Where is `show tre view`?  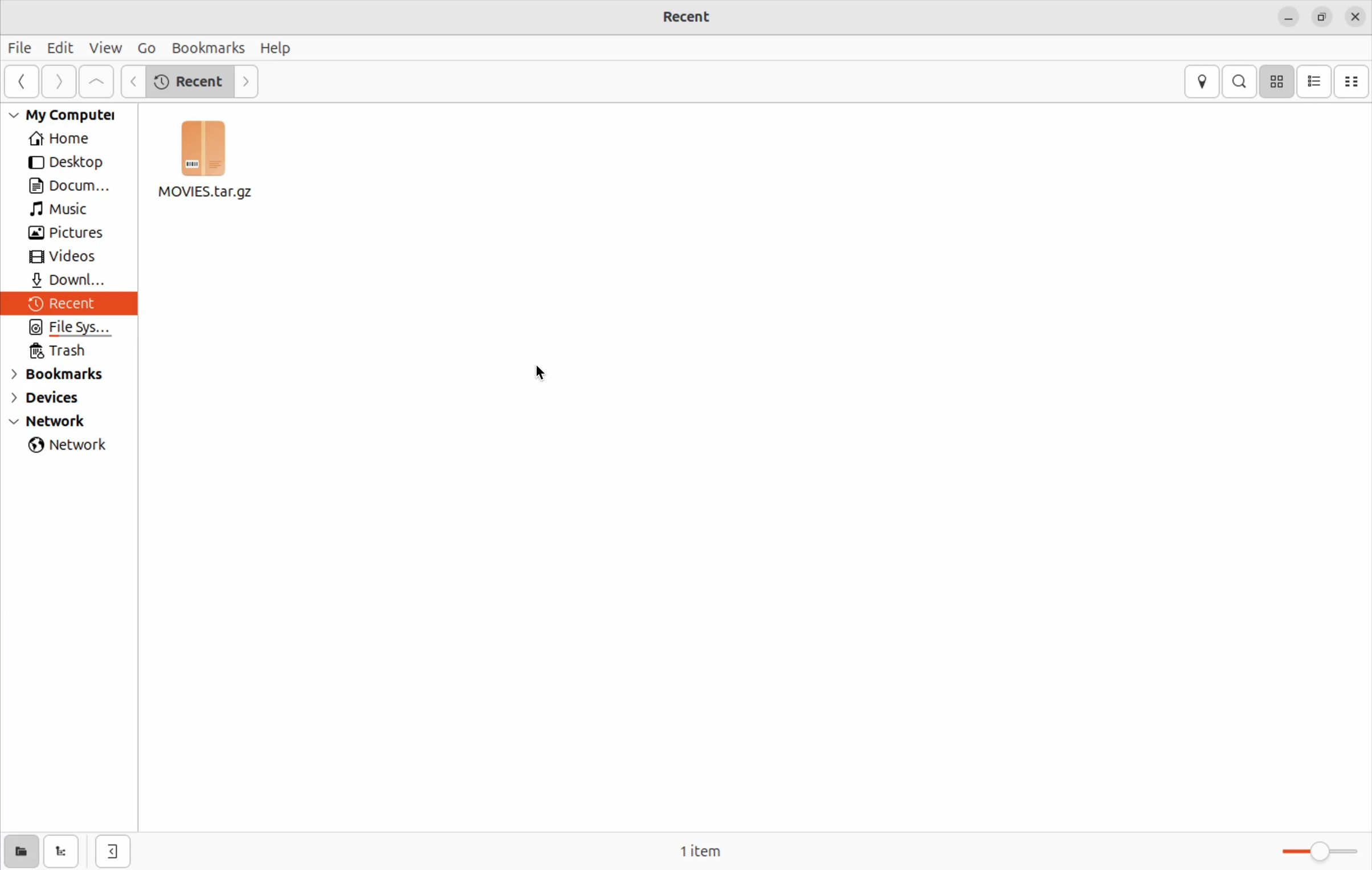
show tre view is located at coordinates (62, 851).